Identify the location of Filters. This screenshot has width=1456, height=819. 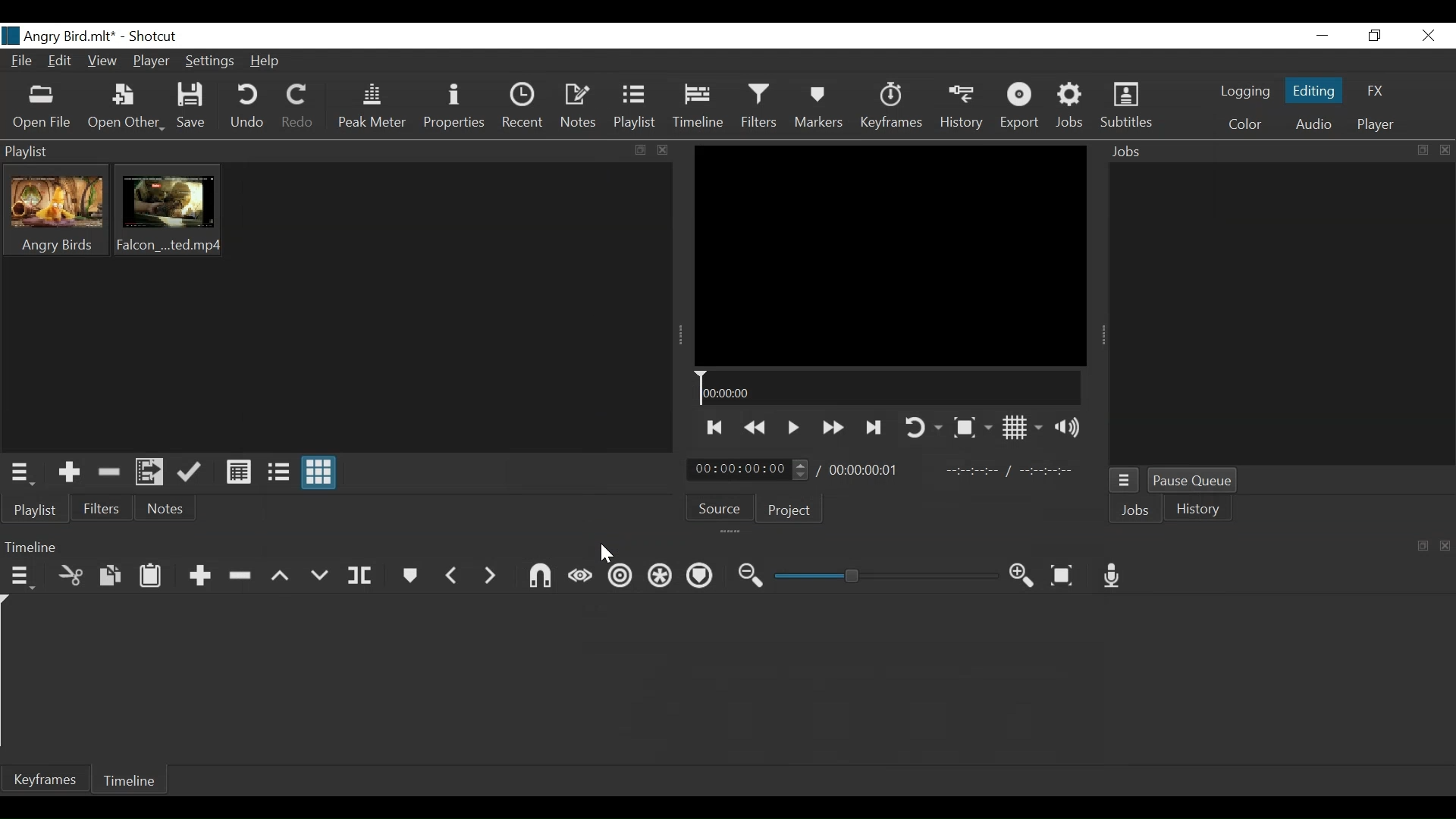
(764, 108).